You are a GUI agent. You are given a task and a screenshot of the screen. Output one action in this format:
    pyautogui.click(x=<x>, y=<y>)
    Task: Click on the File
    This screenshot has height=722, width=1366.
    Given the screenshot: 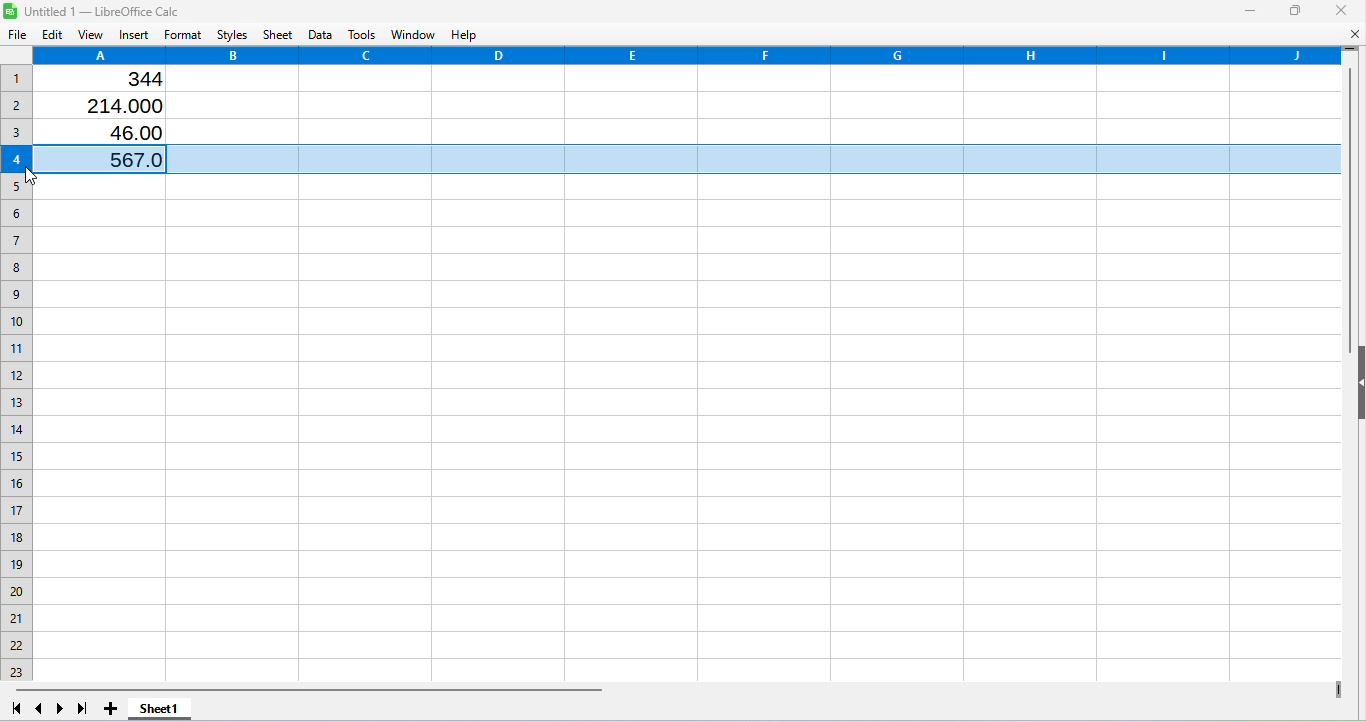 What is the action you would take?
    pyautogui.click(x=15, y=36)
    